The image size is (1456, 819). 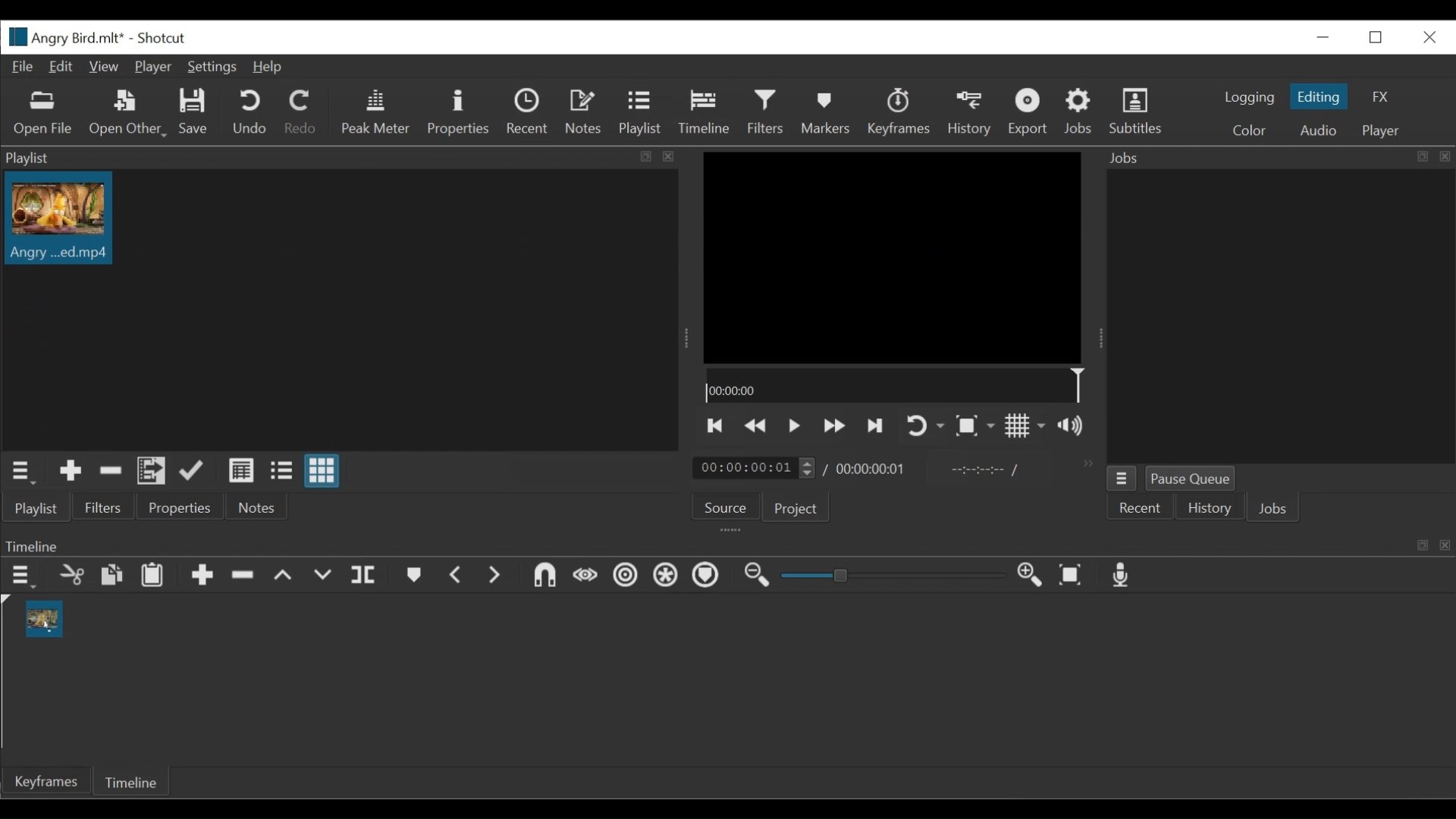 What do you see at coordinates (284, 472) in the screenshot?
I see `View as files` at bounding box center [284, 472].